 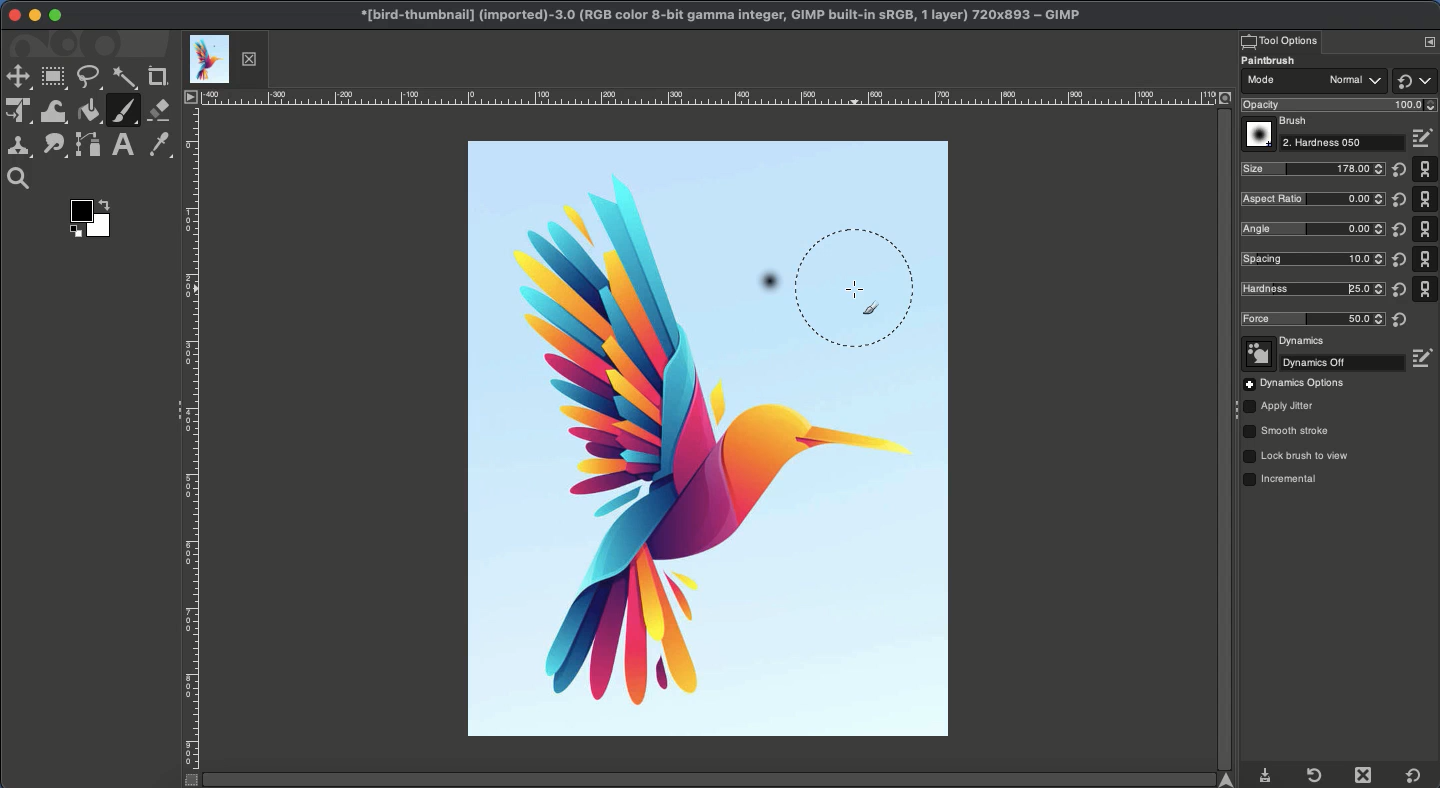 What do you see at coordinates (1266, 777) in the screenshot?
I see `Download` at bounding box center [1266, 777].